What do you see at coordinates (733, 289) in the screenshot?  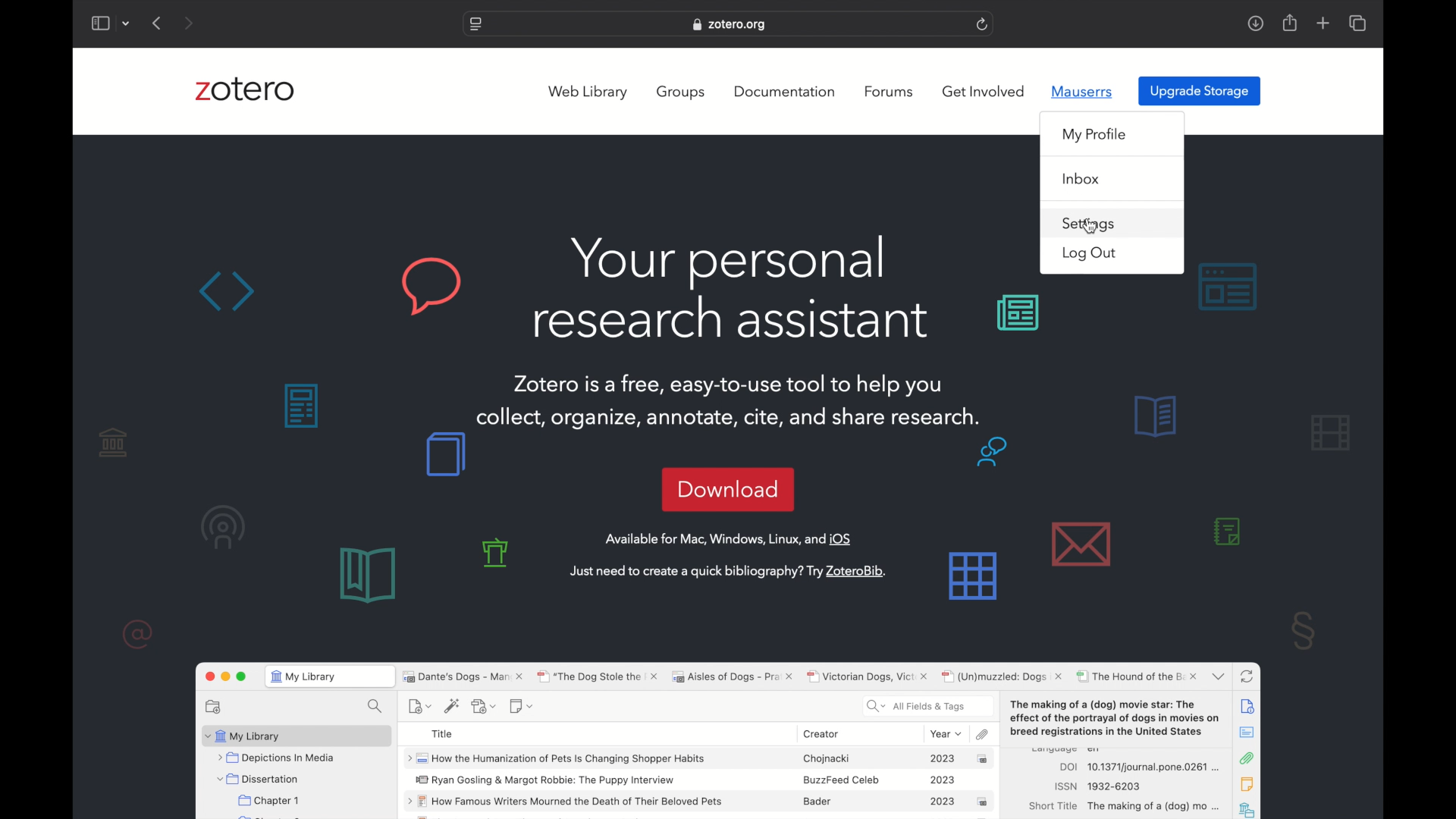 I see `your personal research assistant` at bounding box center [733, 289].